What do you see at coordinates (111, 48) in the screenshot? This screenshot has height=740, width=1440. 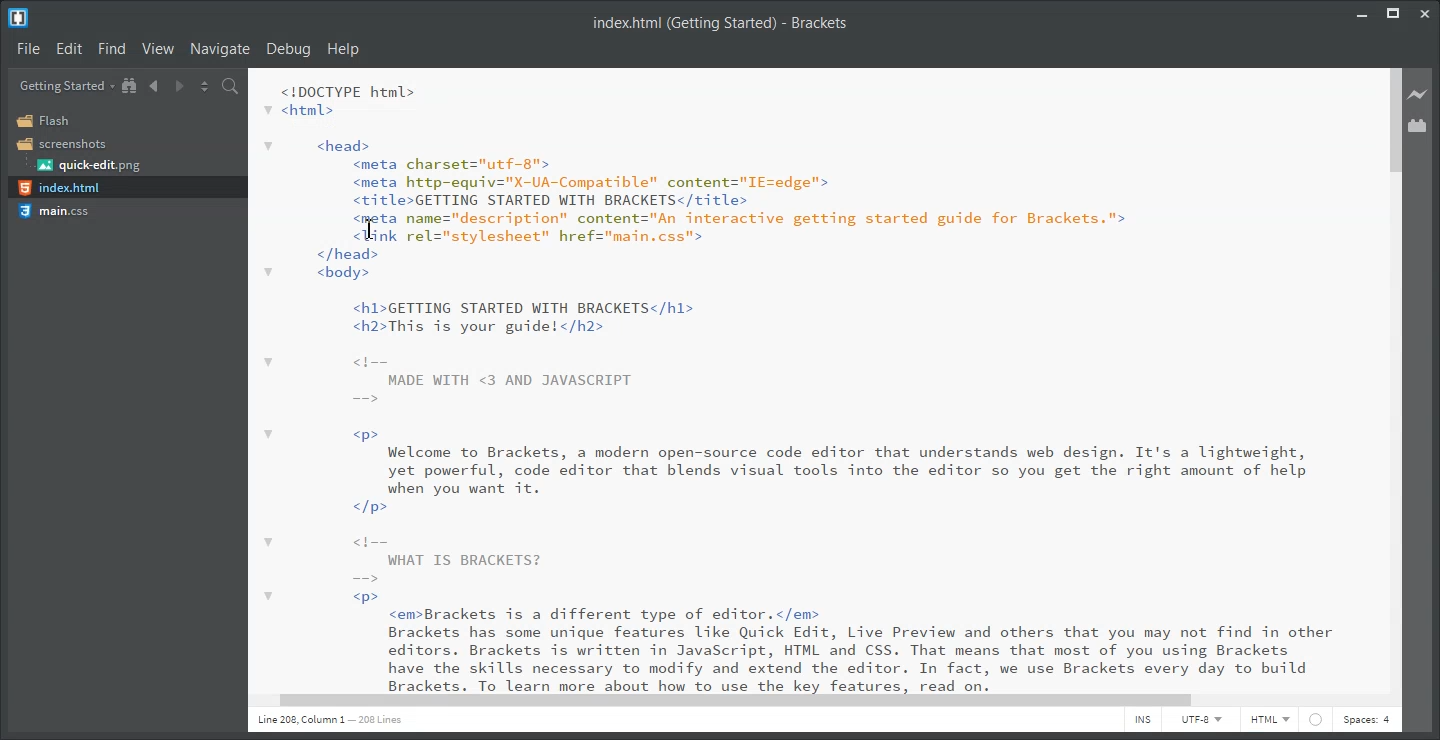 I see `Find` at bounding box center [111, 48].